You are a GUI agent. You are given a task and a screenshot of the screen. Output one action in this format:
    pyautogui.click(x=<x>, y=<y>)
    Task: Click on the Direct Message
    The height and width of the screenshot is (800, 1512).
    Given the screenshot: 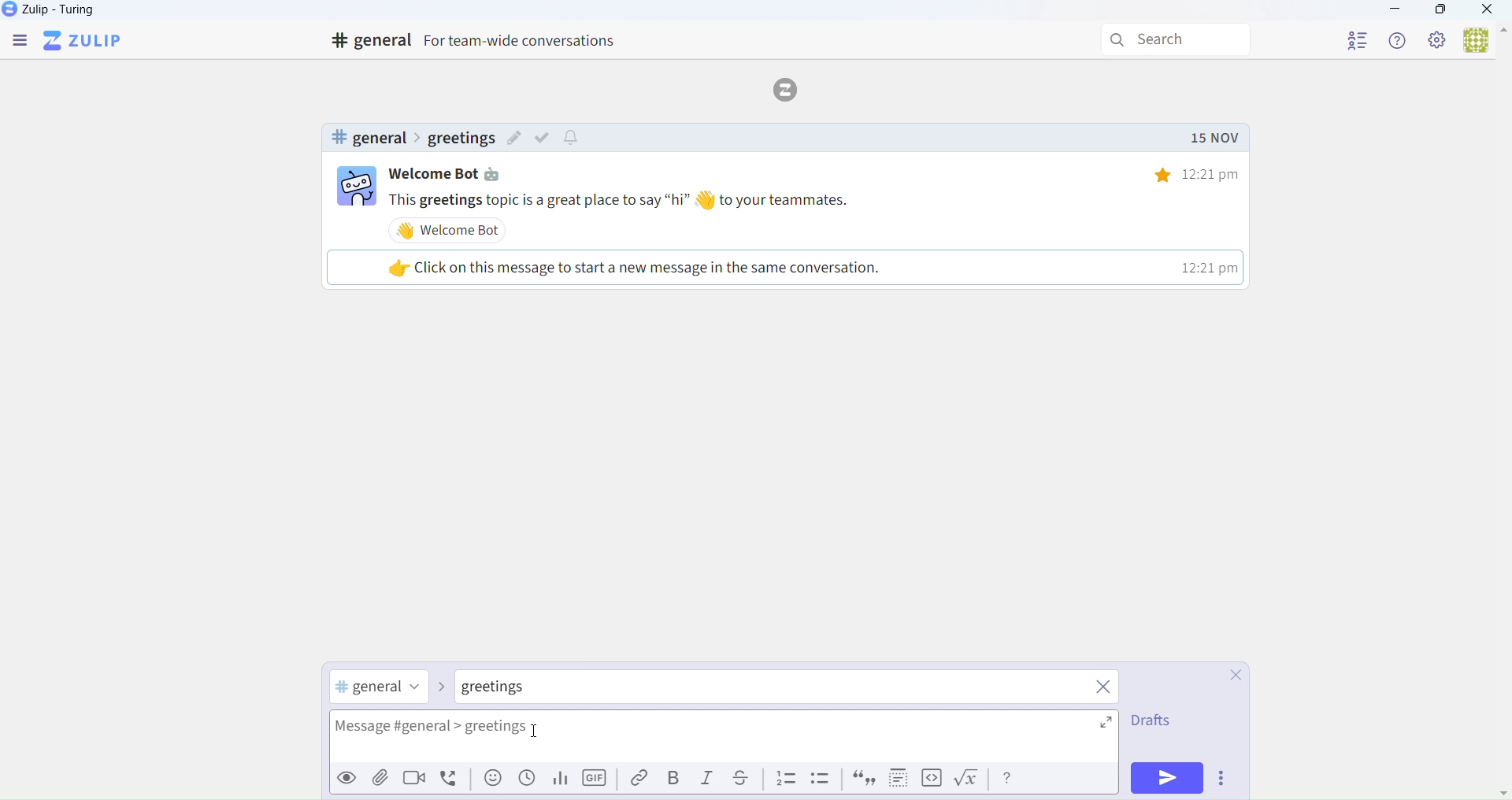 What is the action you would take?
    pyautogui.click(x=513, y=689)
    